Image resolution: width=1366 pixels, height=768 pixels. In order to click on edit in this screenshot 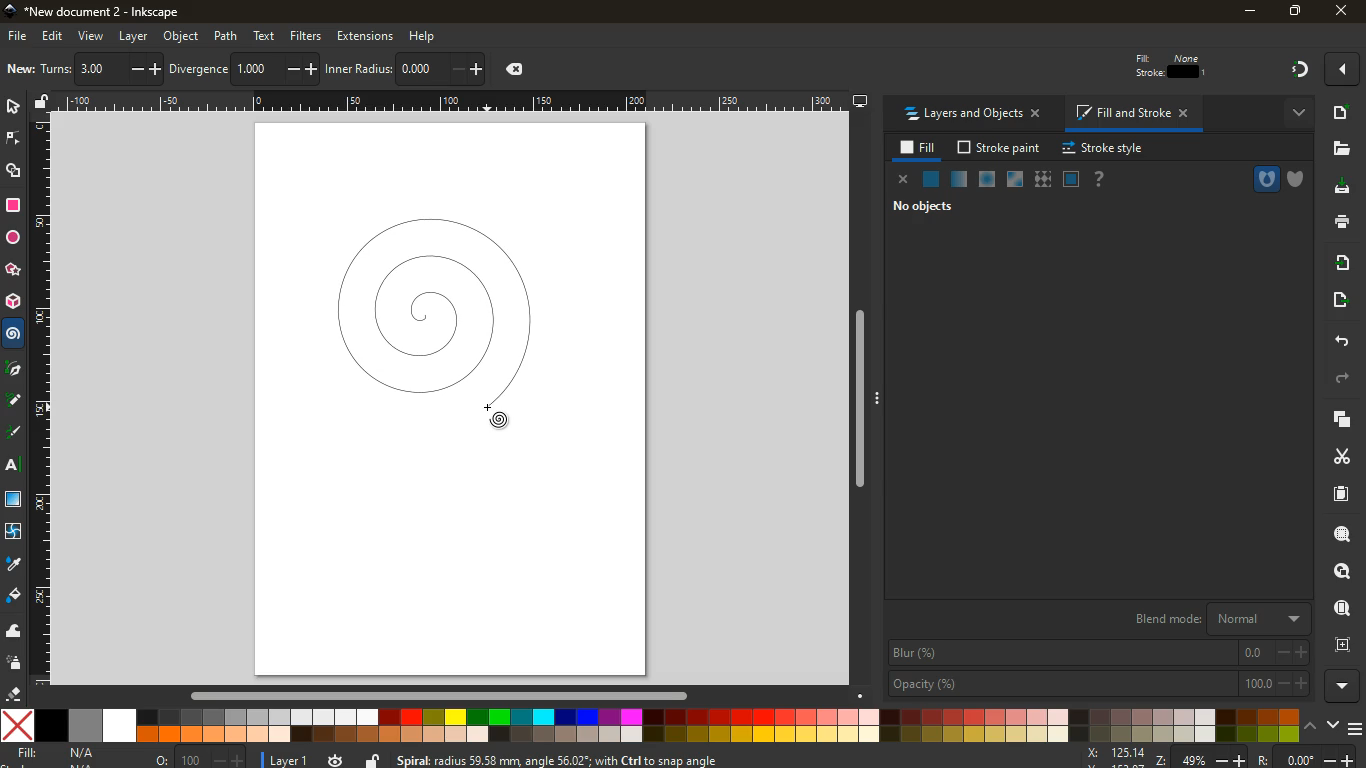, I will do `click(1190, 69)`.